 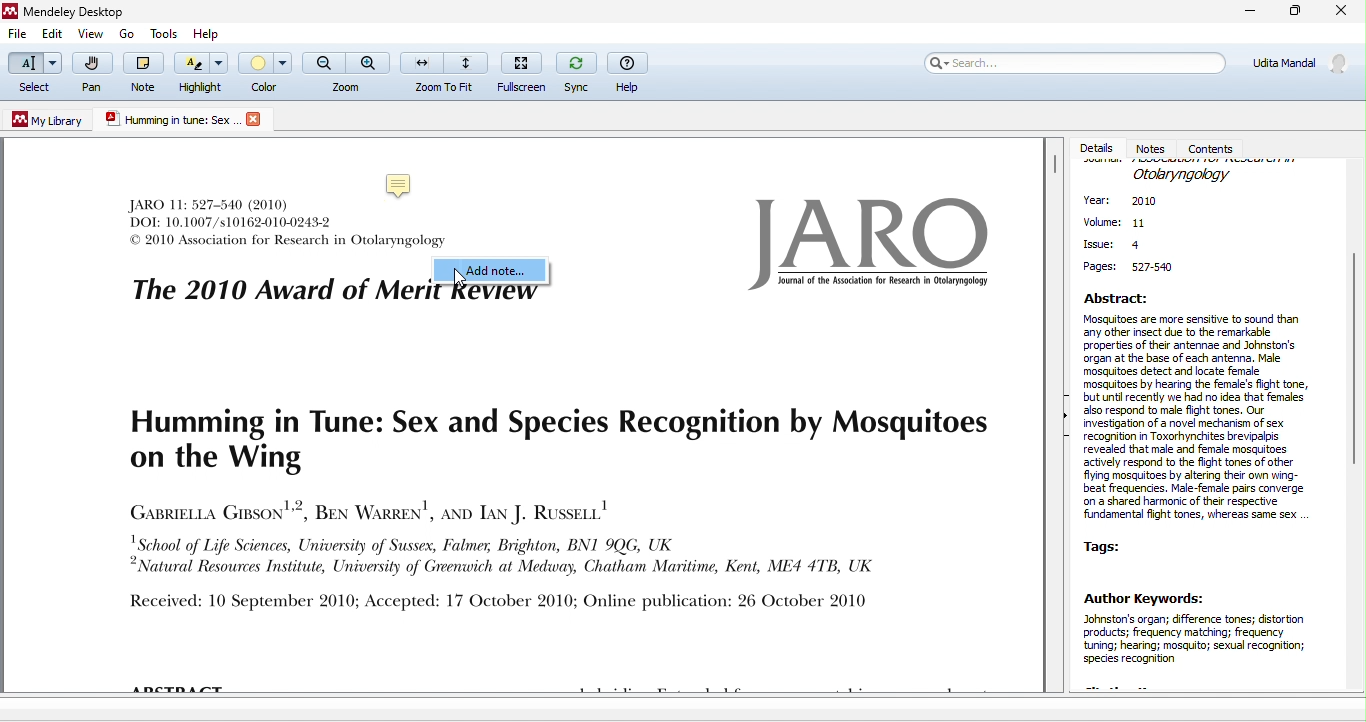 What do you see at coordinates (287, 242) in the screenshot?
I see `journal text` at bounding box center [287, 242].